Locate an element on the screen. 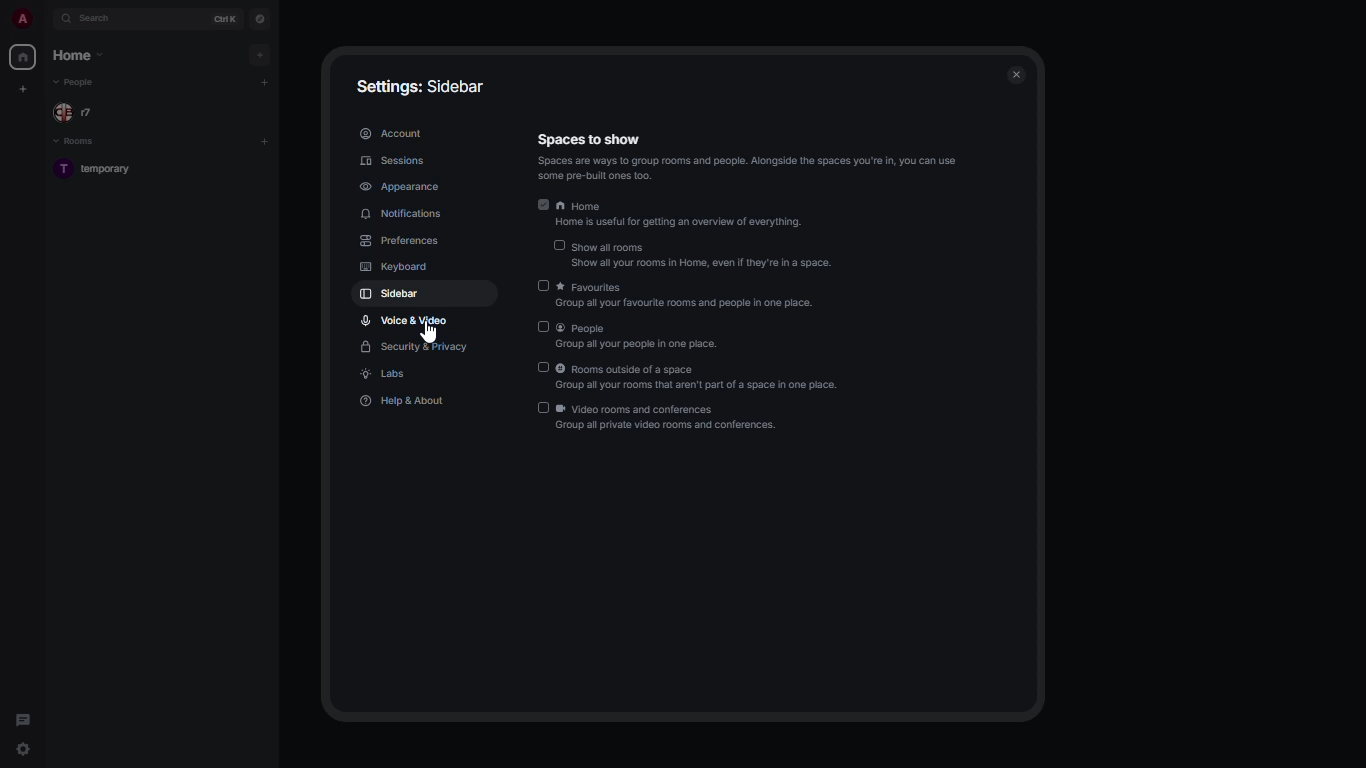  add is located at coordinates (266, 81).